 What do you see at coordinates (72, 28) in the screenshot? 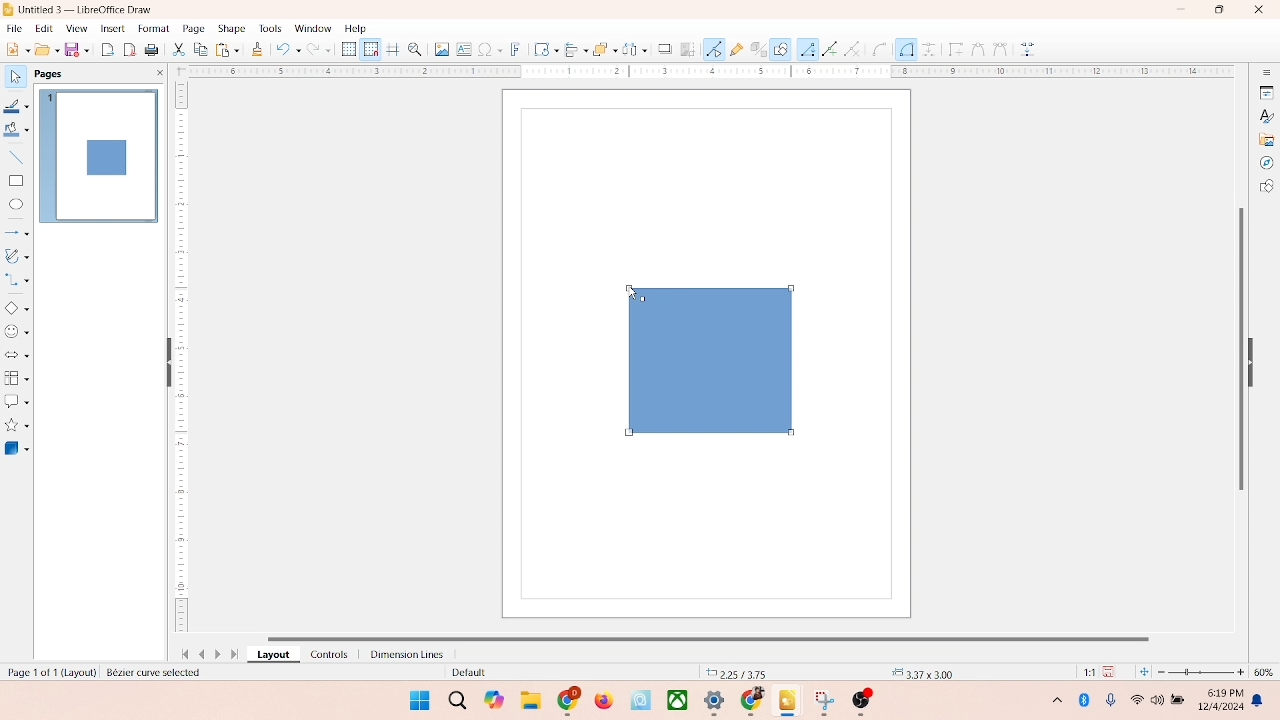
I see `view` at bounding box center [72, 28].